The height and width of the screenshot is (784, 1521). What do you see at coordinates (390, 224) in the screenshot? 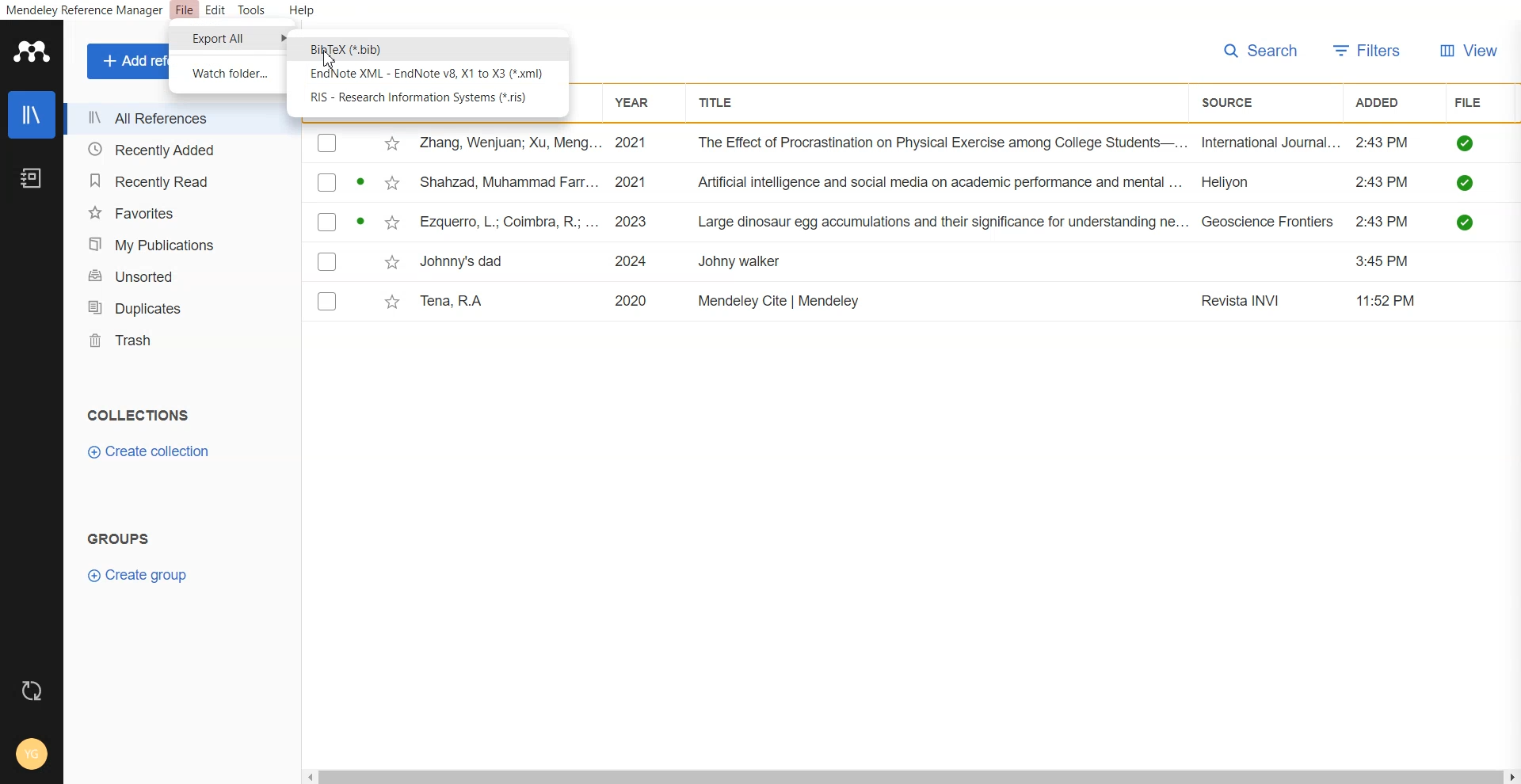
I see `star` at bounding box center [390, 224].